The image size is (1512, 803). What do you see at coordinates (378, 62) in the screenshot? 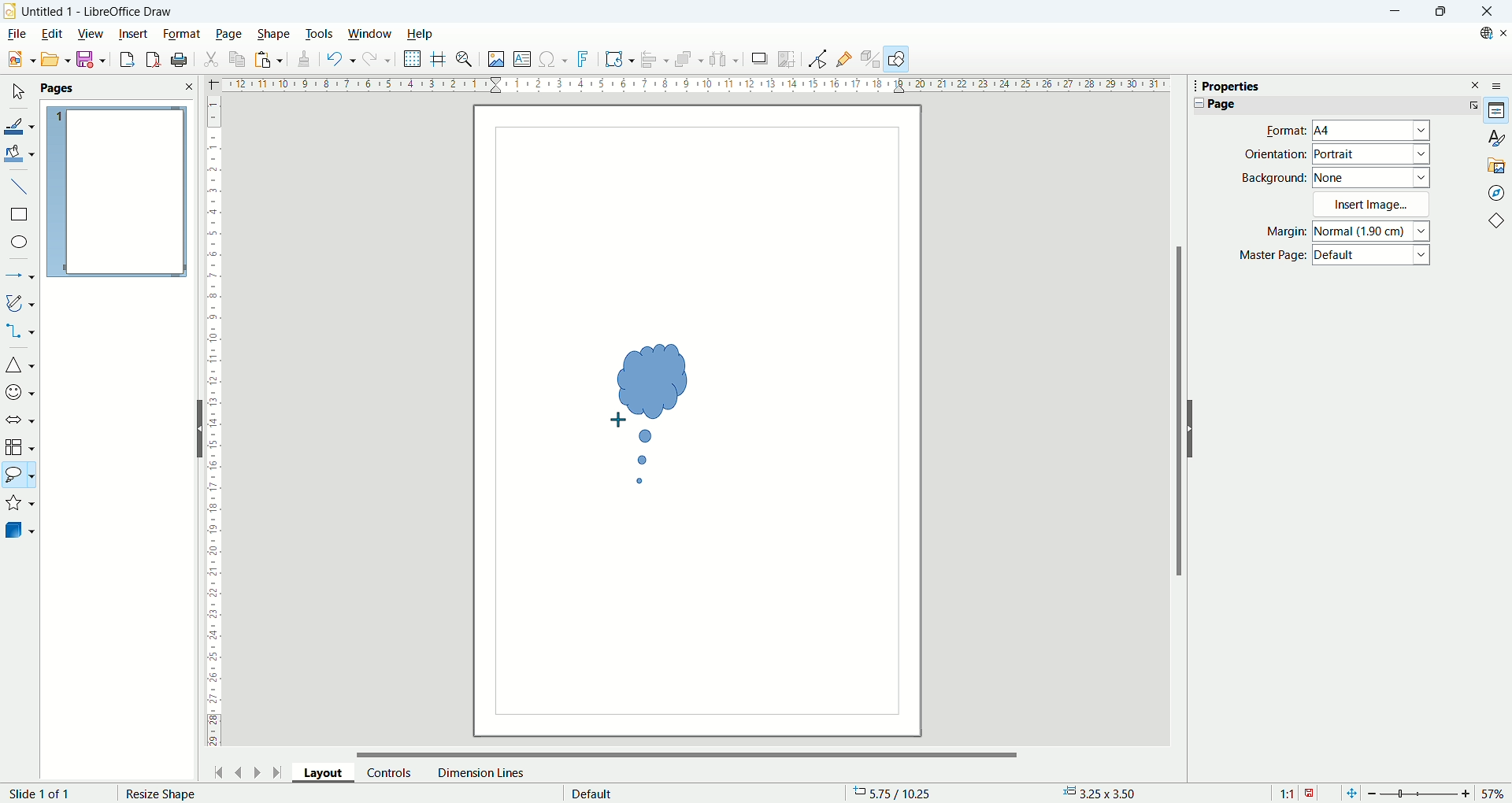
I see `redo` at bounding box center [378, 62].